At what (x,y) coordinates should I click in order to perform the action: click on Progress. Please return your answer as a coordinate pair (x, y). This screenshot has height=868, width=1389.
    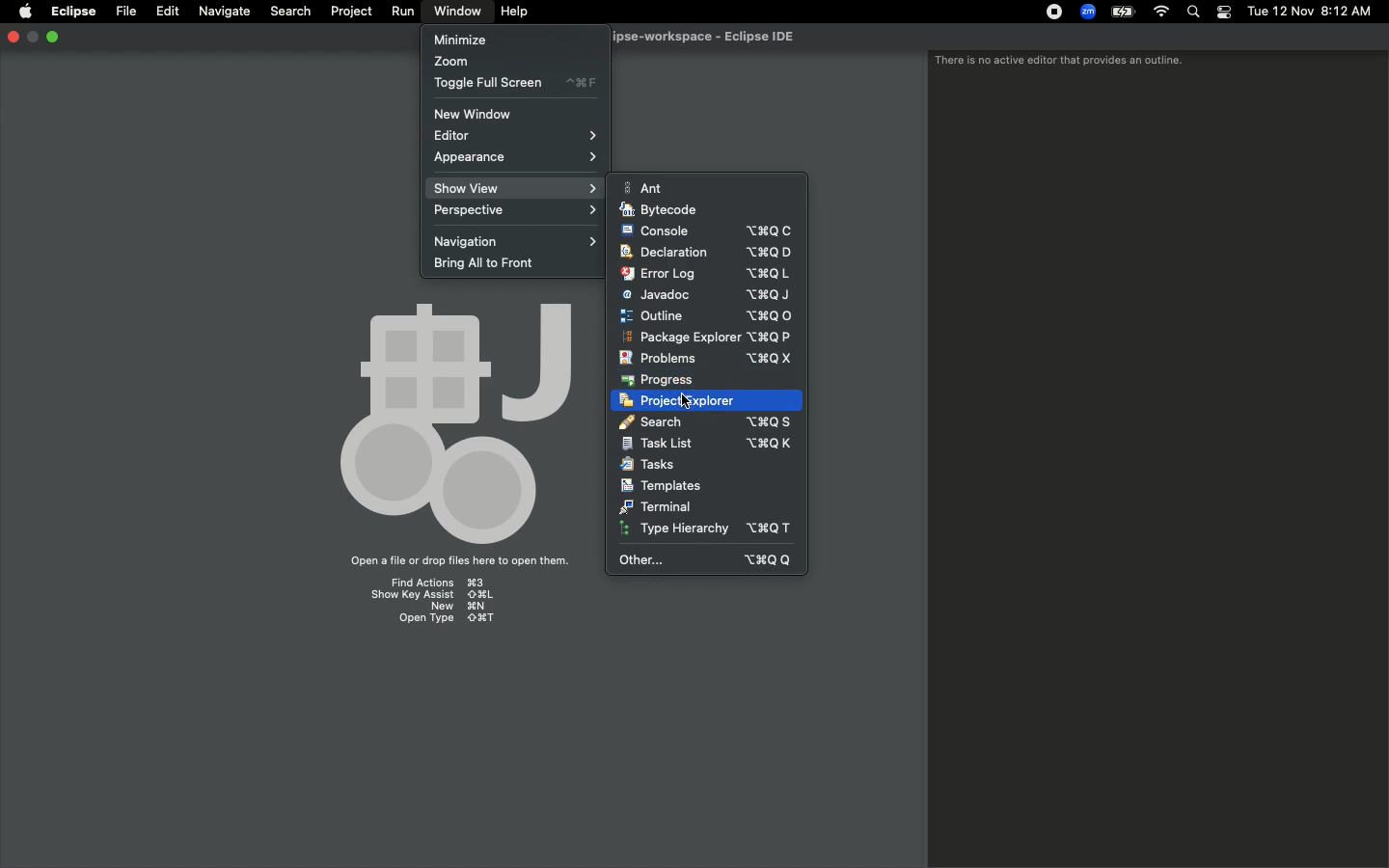
    Looking at the image, I should click on (661, 381).